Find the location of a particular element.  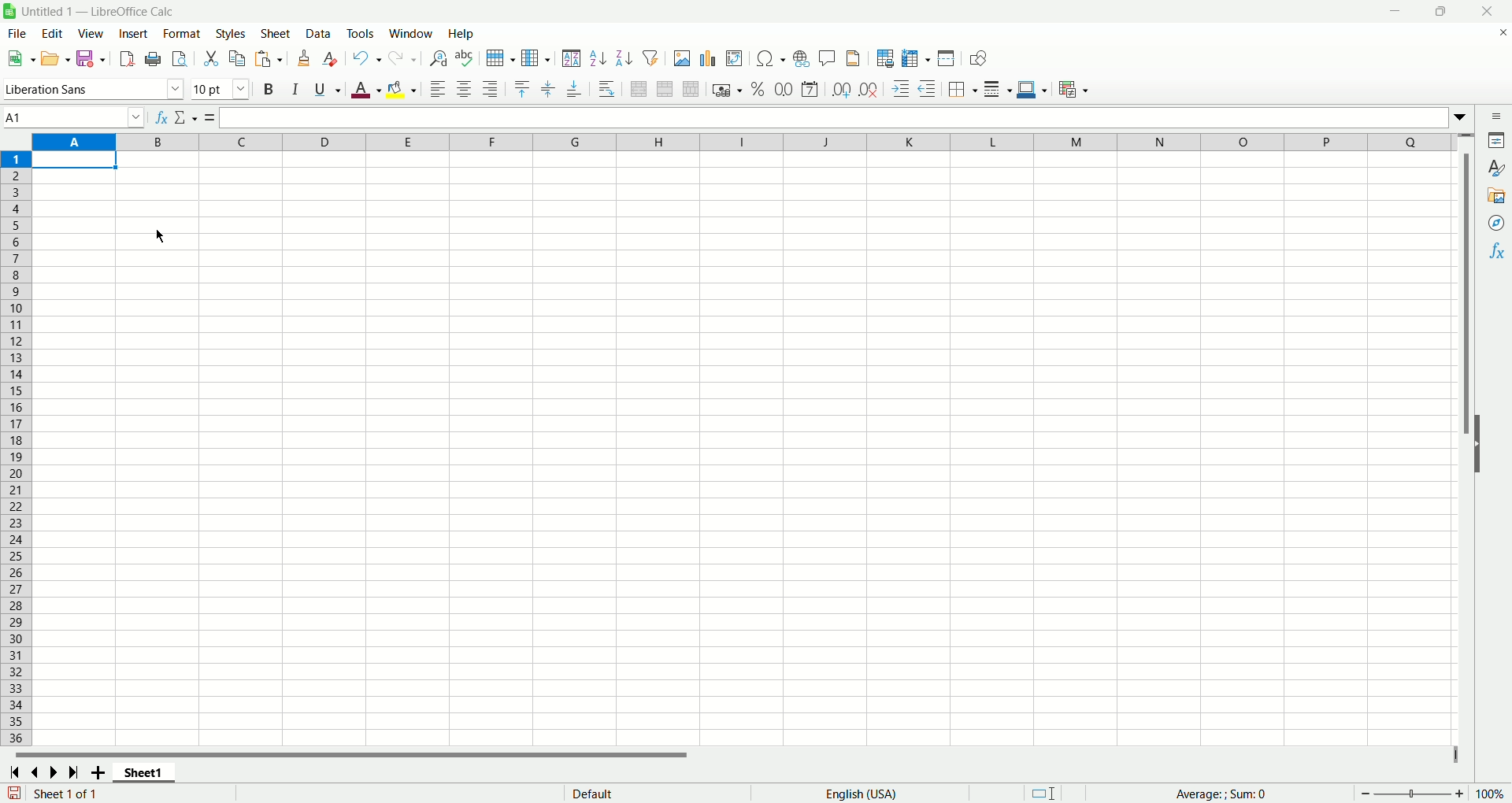

format as currency is located at coordinates (726, 91).